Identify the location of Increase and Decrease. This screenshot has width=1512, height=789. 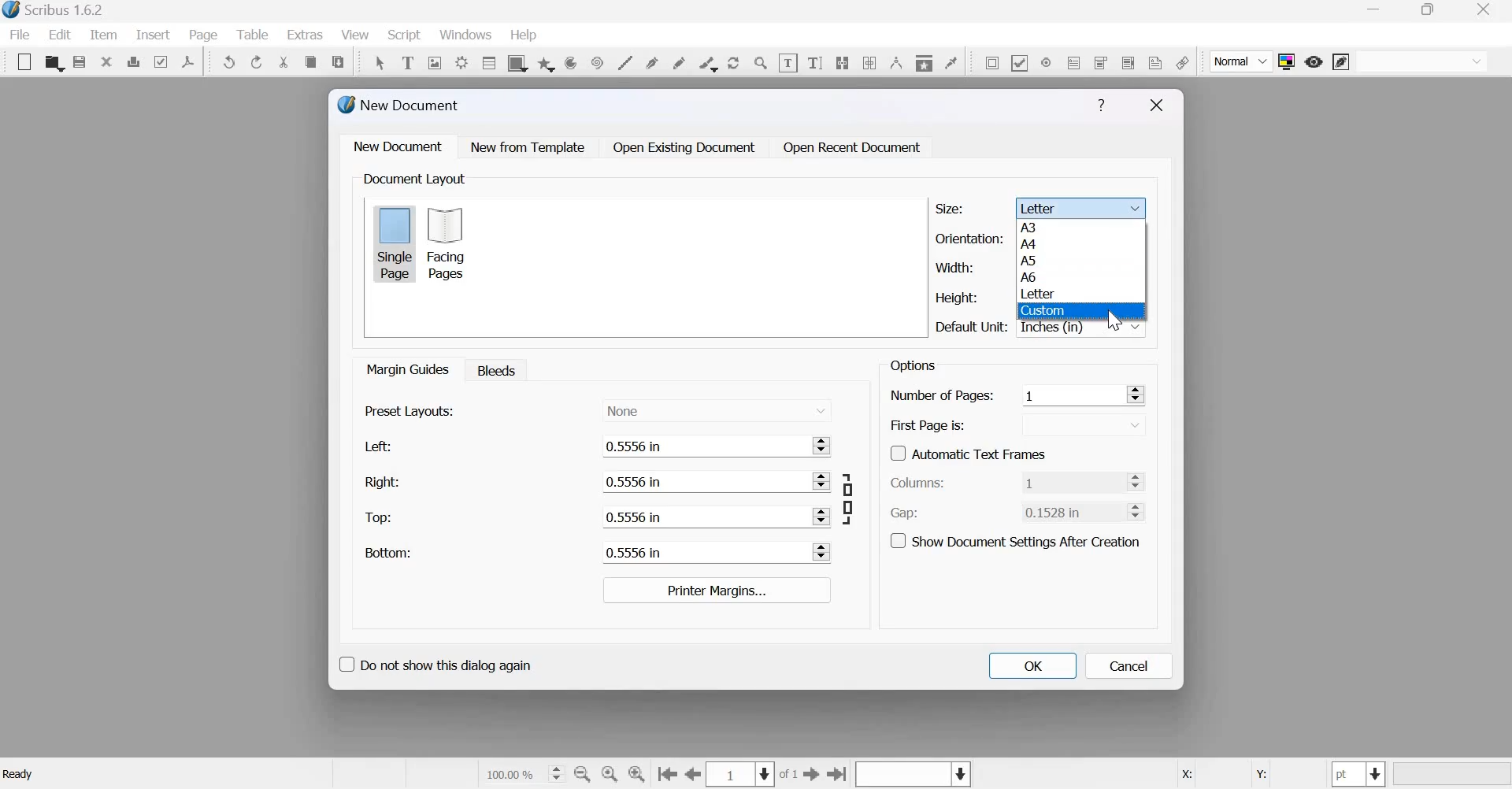
(821, 516).